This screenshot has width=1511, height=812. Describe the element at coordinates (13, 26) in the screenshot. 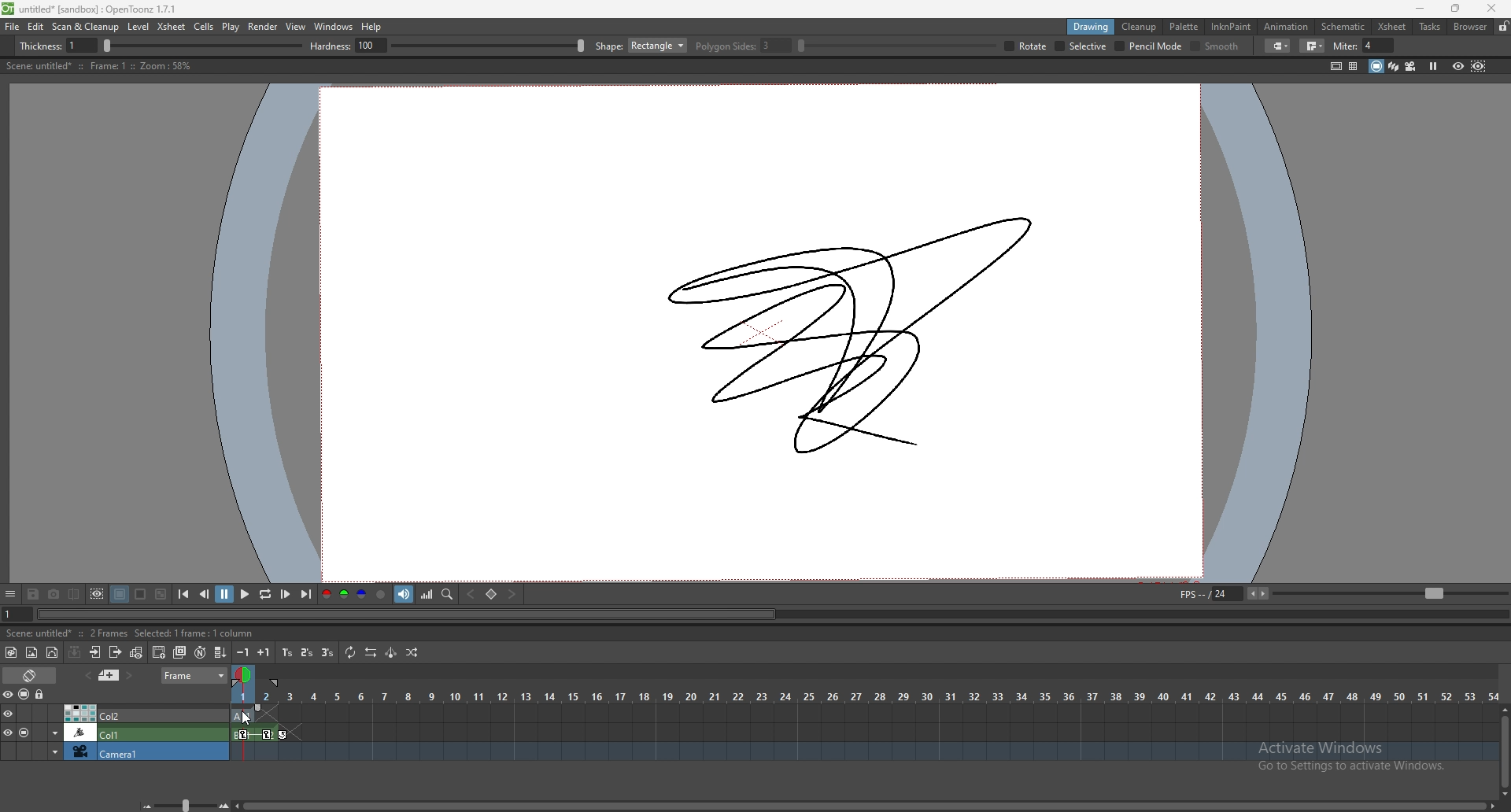

I see `file` at that location.